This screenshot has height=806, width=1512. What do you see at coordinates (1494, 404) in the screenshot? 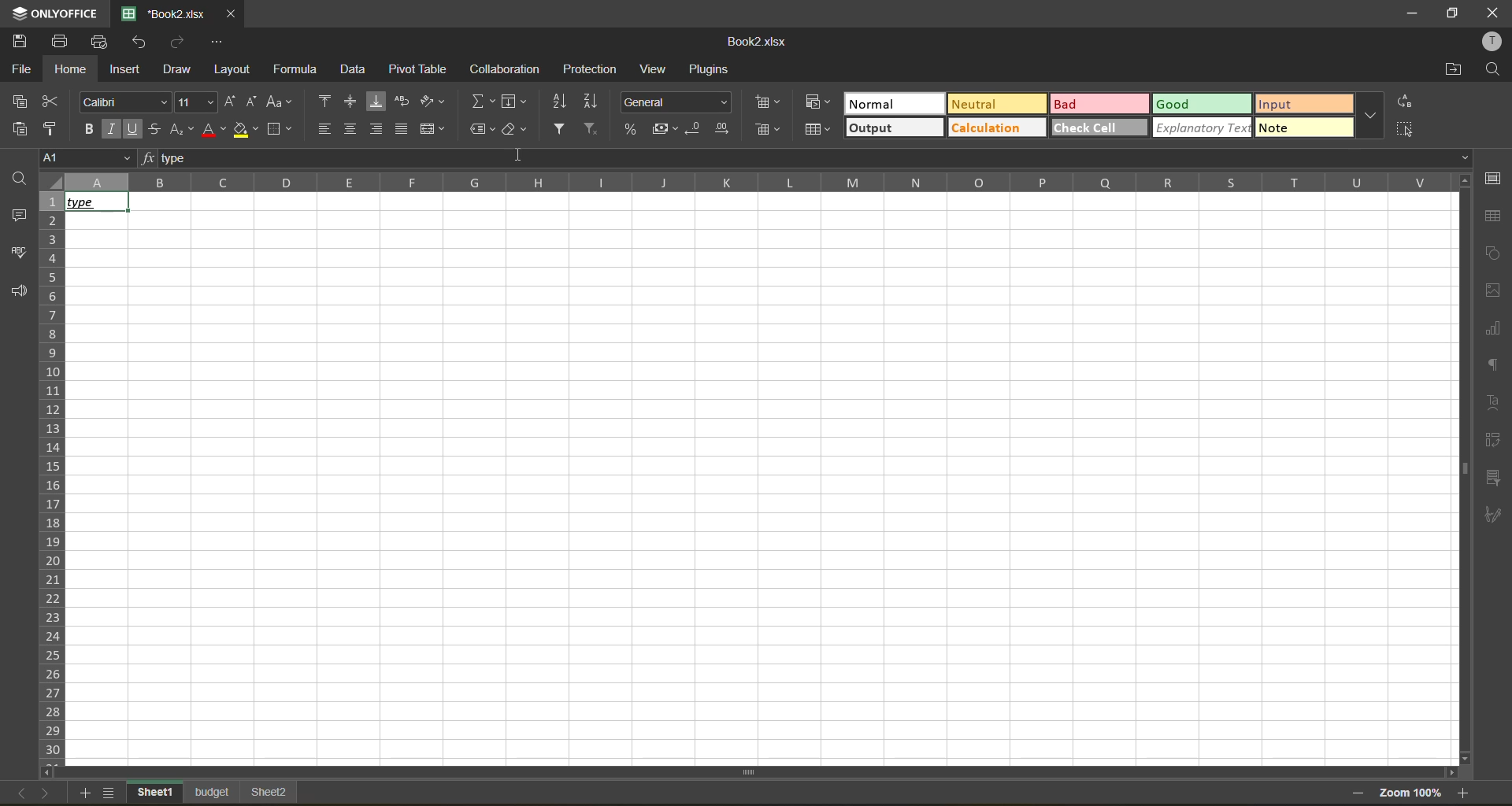
I see `text` at bounding box center [1494, 404].